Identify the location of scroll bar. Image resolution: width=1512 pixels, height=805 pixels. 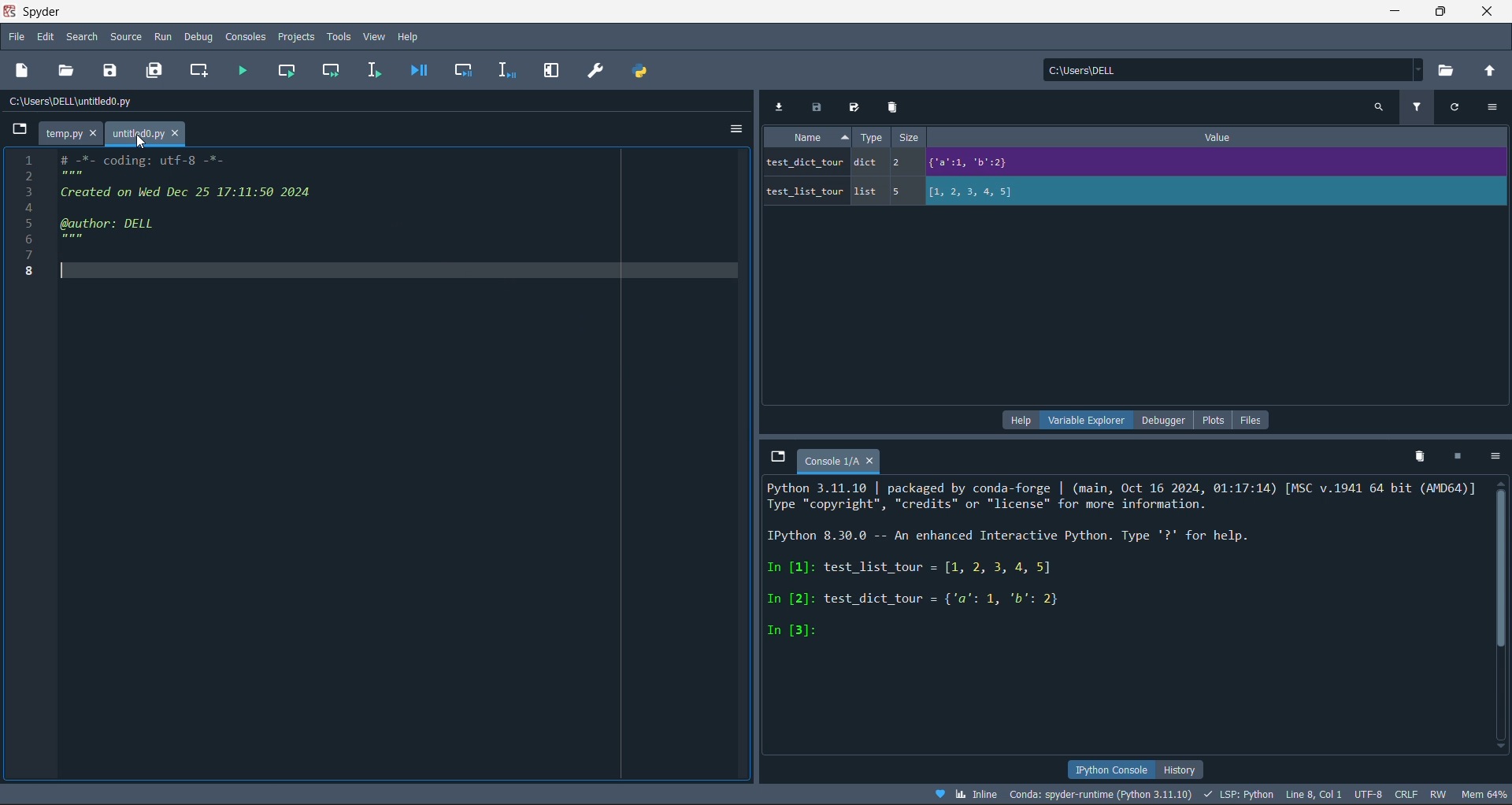
(1503, 609).